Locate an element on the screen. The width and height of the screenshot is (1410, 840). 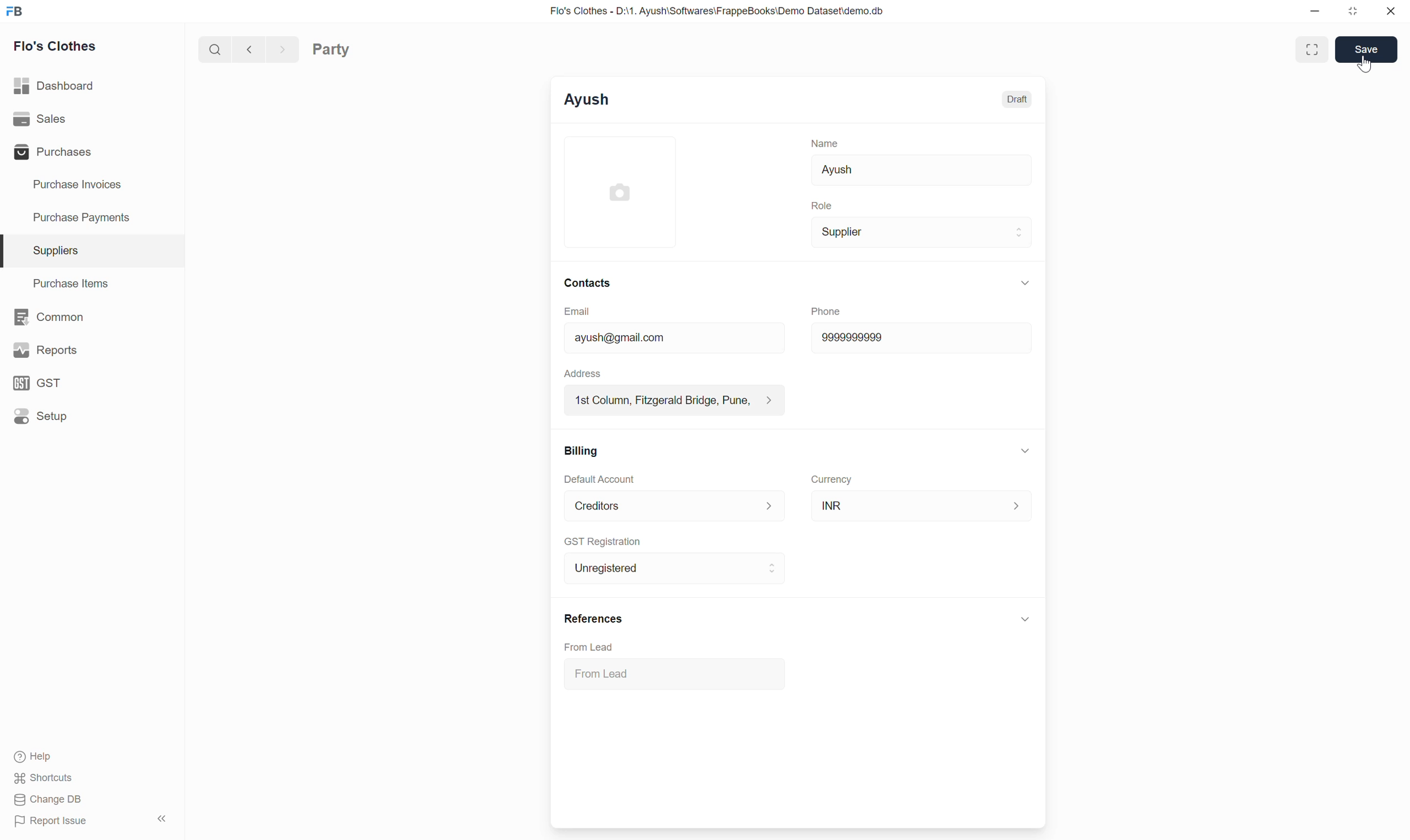
default account is located at coordinates (600, 478).